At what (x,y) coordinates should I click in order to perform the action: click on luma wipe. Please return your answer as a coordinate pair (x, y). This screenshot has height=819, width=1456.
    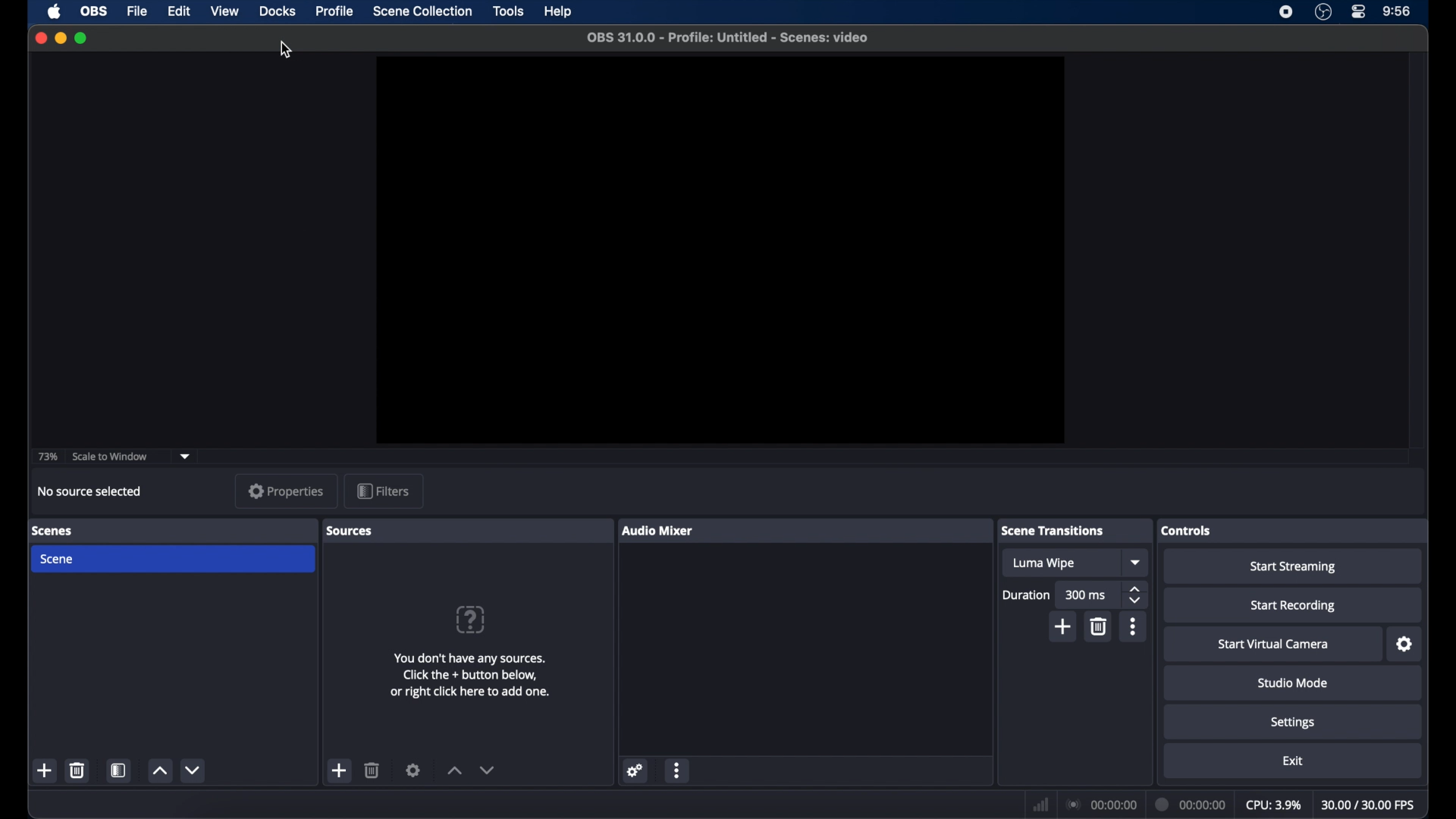
    Looking at the image, I should click on (1061, 563).